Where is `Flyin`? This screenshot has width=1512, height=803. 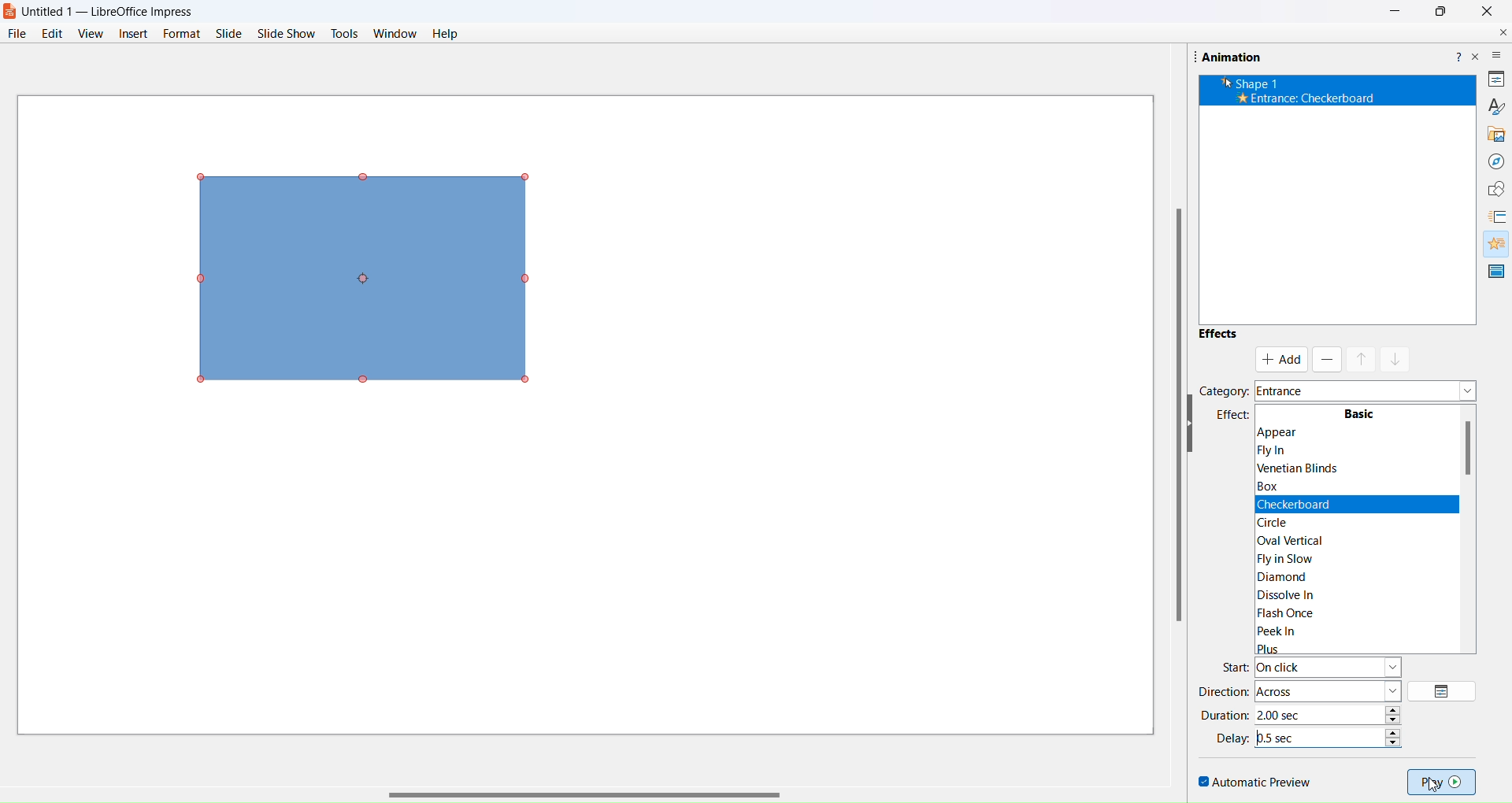 Flyin is located at coordinates (1288, 451).